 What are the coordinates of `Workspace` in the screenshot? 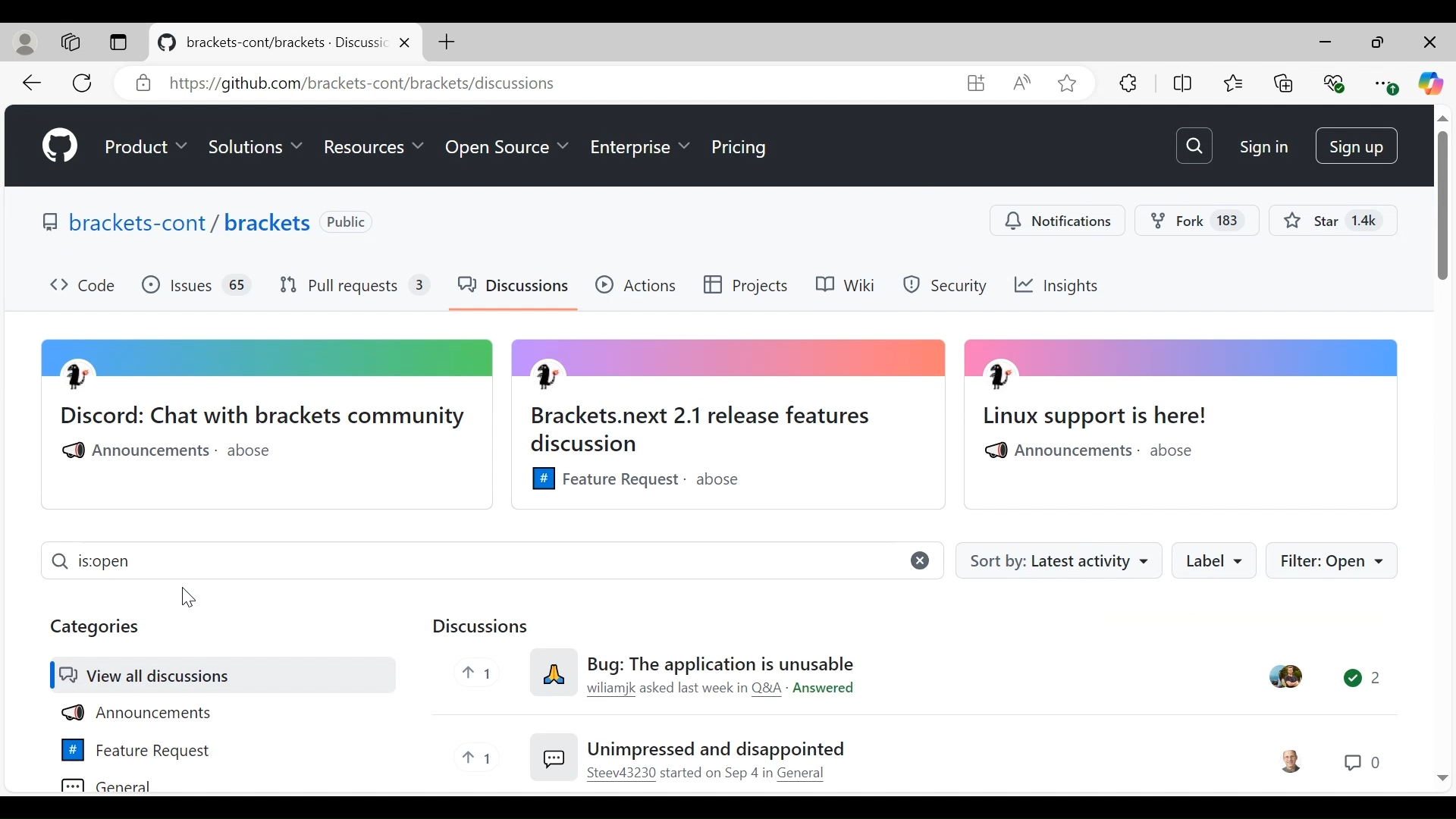 It's located at (68, 42).